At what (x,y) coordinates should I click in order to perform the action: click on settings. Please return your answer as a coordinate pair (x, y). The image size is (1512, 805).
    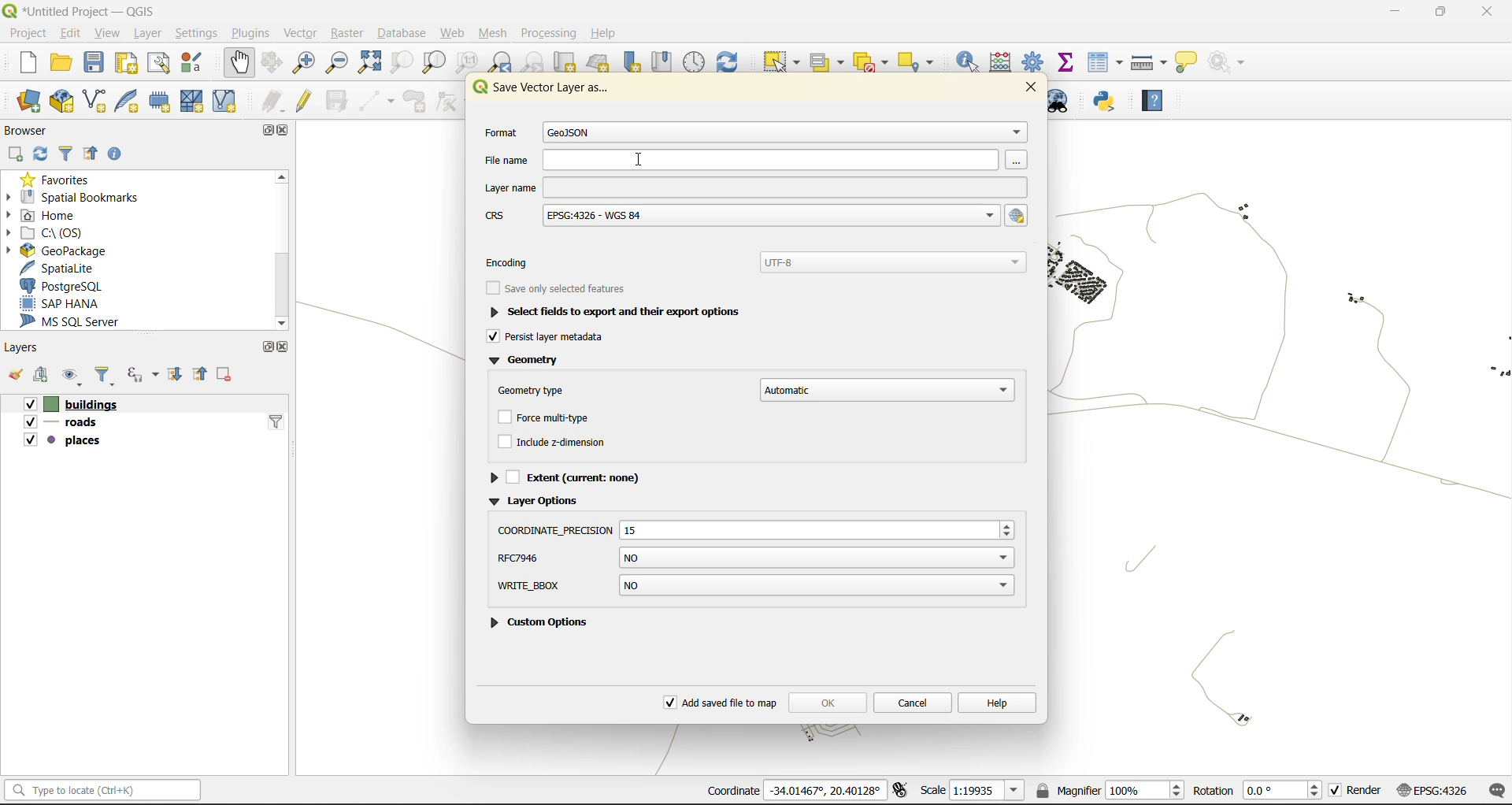
    Looking at the image, I should click on (198, 32).